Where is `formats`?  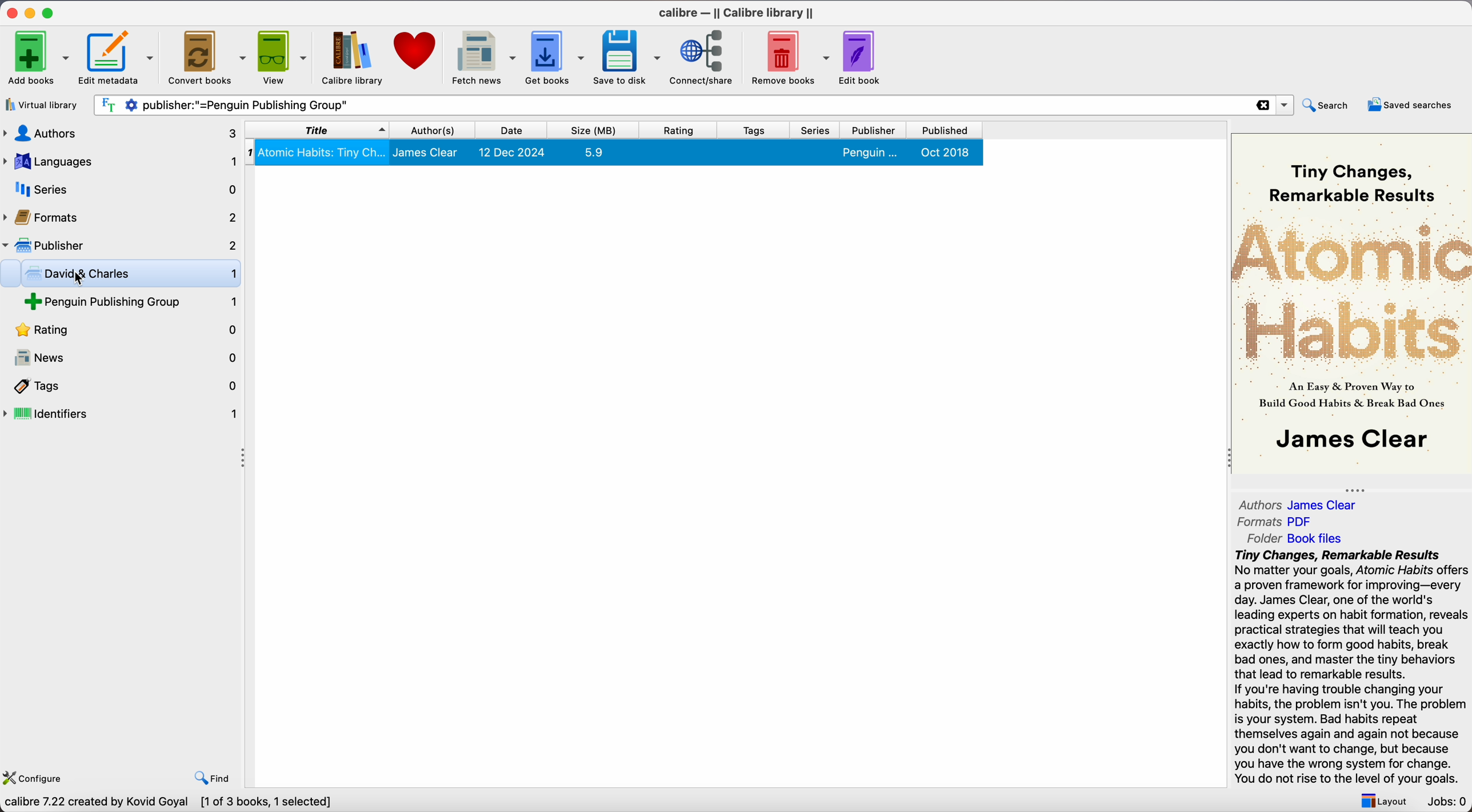 formats is located at coordinates (121, 215).